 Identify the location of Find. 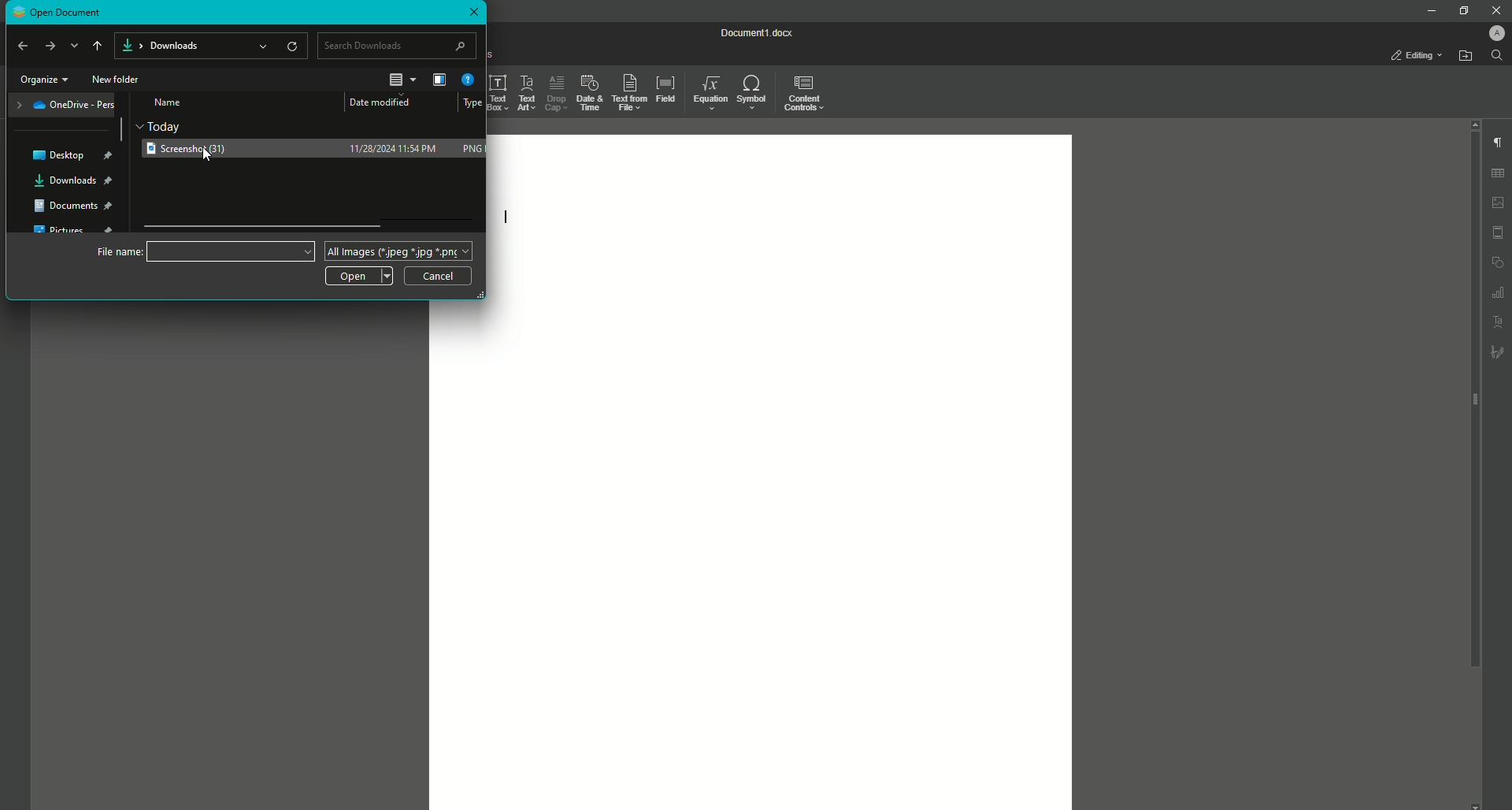
(1496, 55).